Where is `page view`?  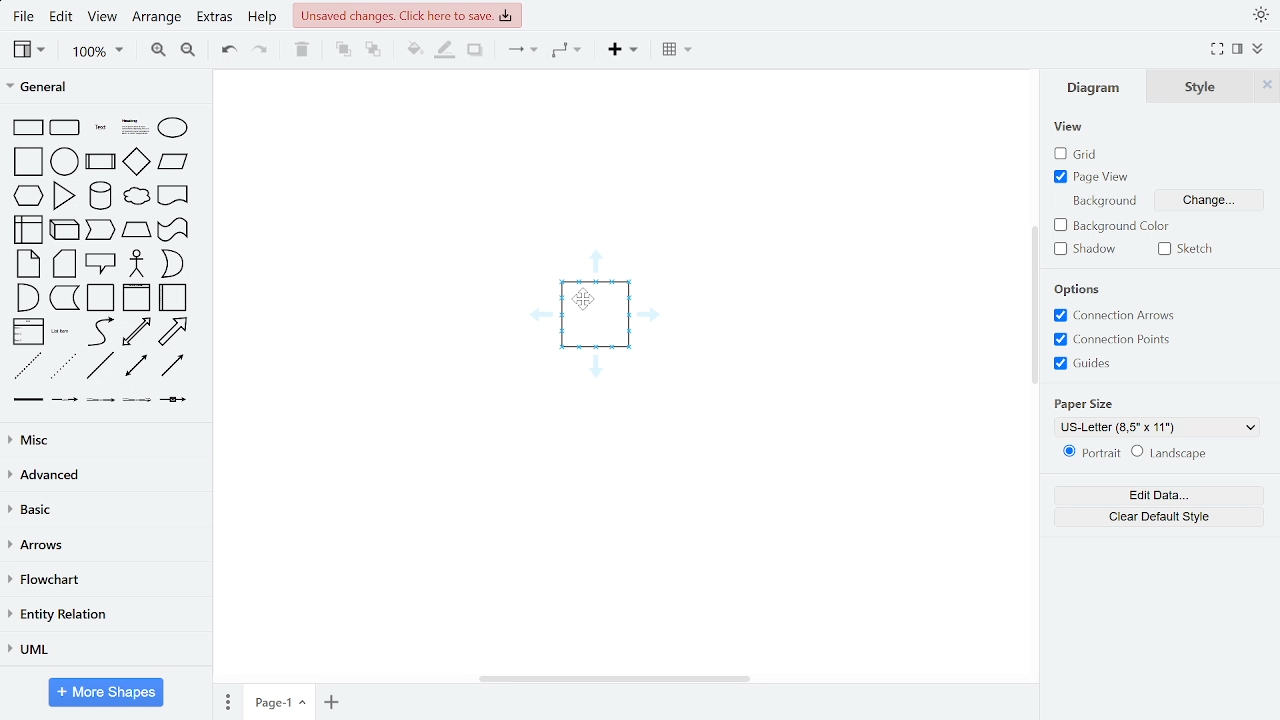
page view is located at coordinates (1095, 178).